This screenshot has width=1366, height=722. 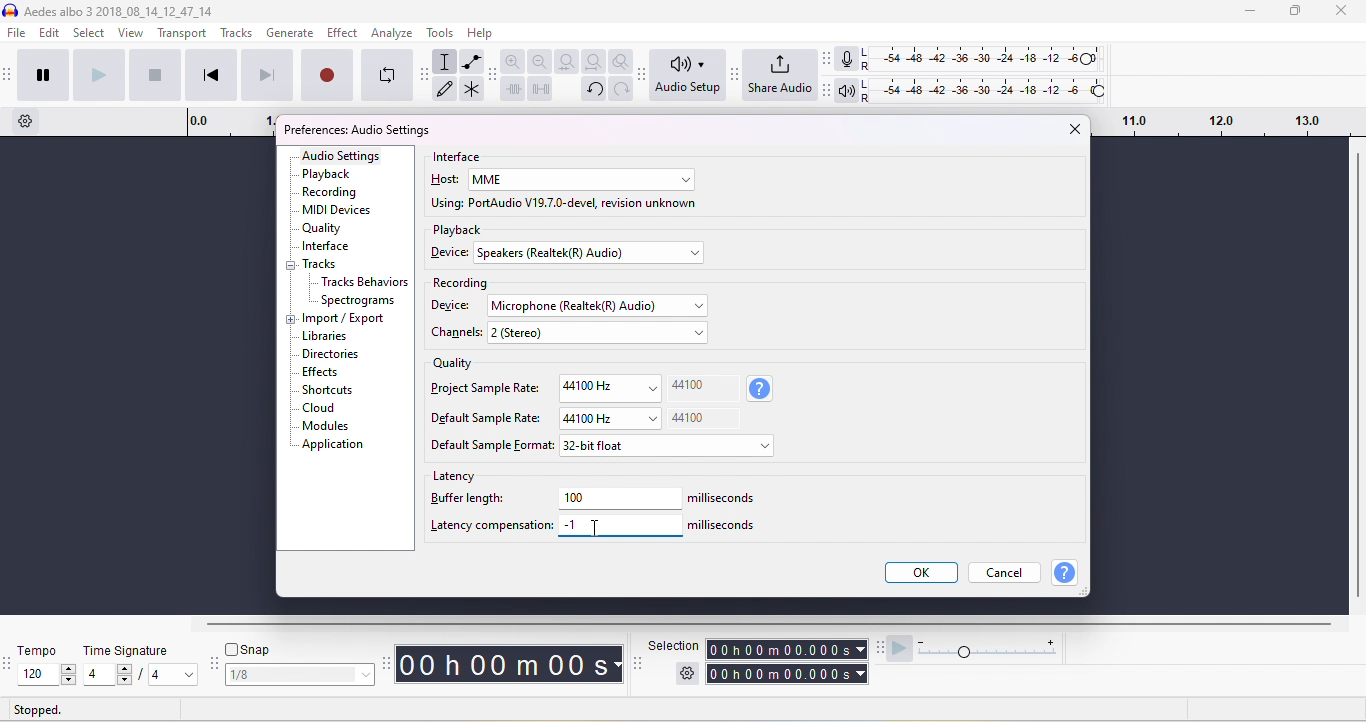 What do you see at coordinates (459, 157) in the screenshot?
I see `interface` at bounding box center [459, 157].